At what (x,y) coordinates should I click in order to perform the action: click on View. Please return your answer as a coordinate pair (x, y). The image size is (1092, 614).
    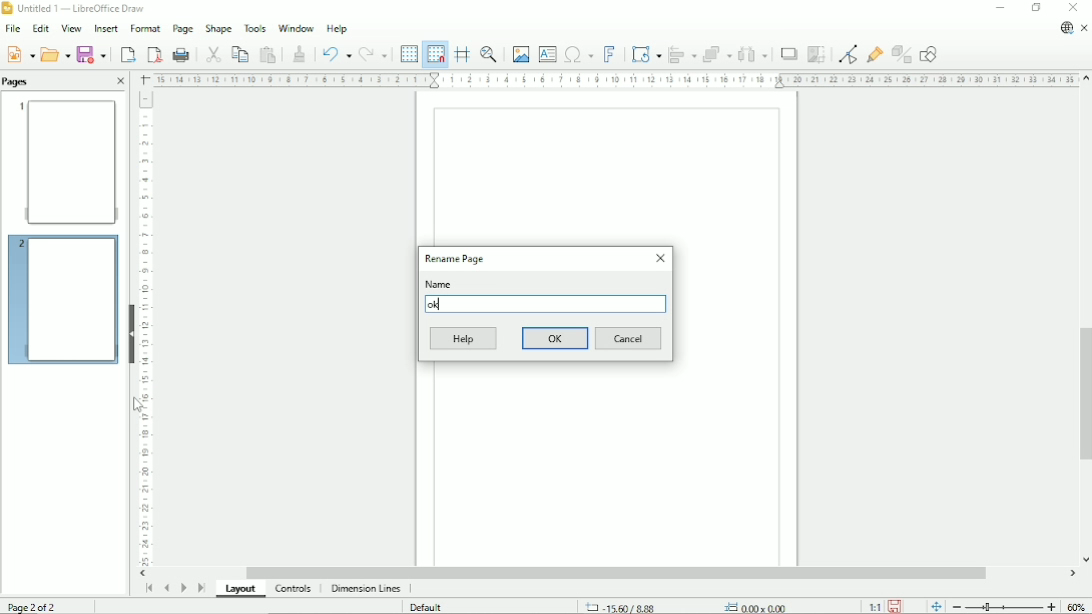
    Looking at the image, I should click on (70, 28).